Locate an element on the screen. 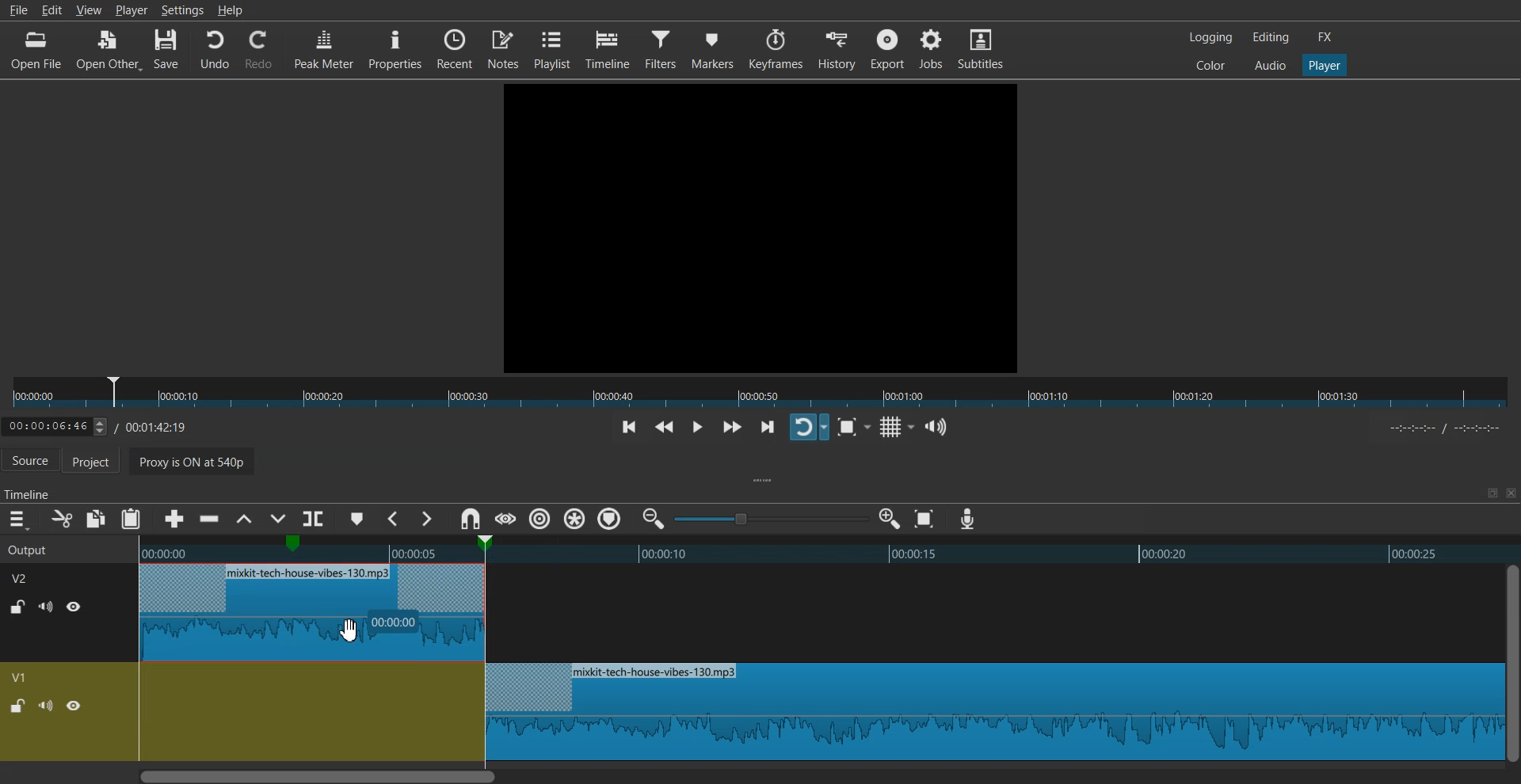 This screenshot has width=1521, height=784. Colors is located at coordinates (1210, 64).